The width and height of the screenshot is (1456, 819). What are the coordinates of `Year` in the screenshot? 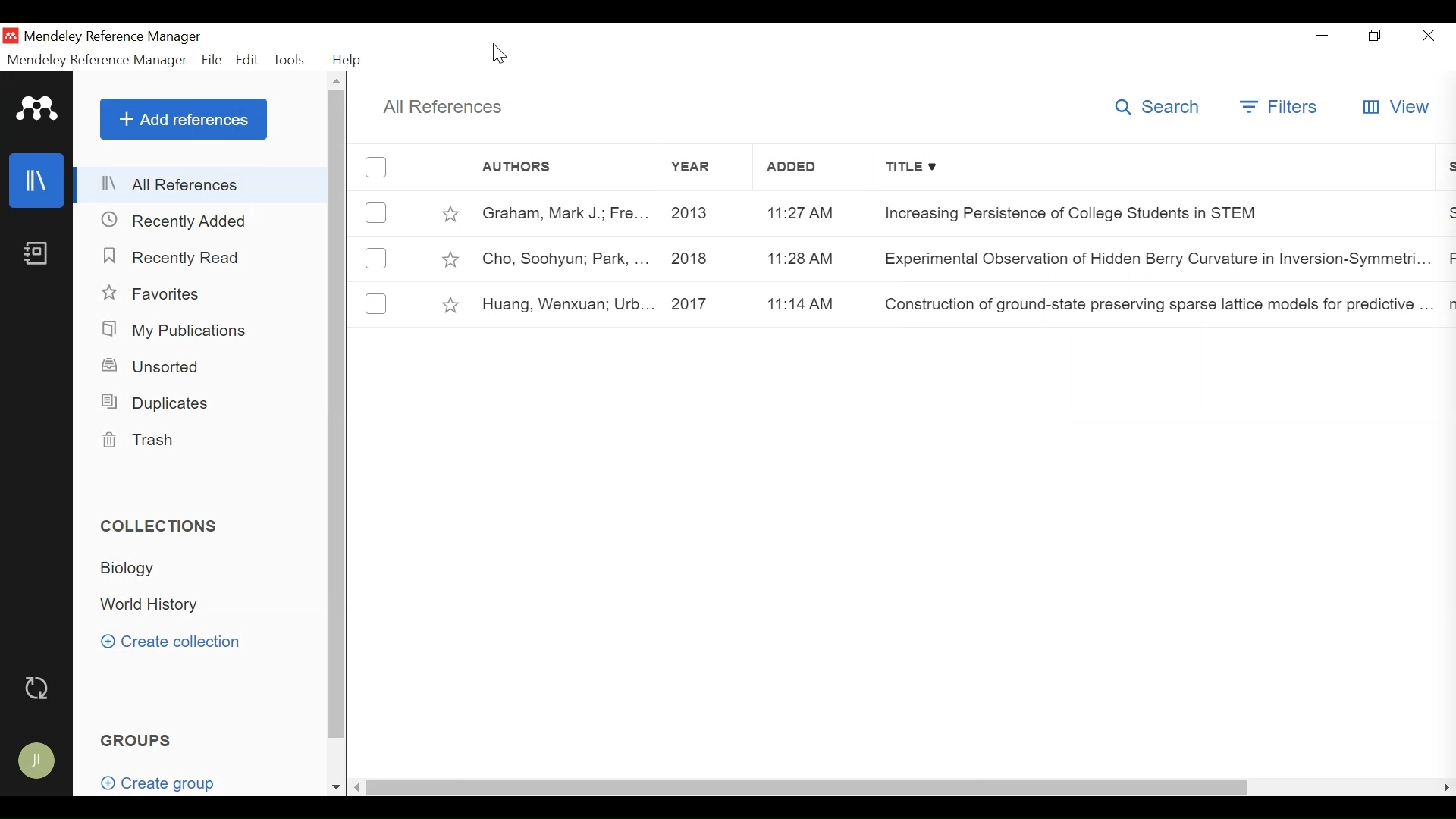 It's located at (706, 216).